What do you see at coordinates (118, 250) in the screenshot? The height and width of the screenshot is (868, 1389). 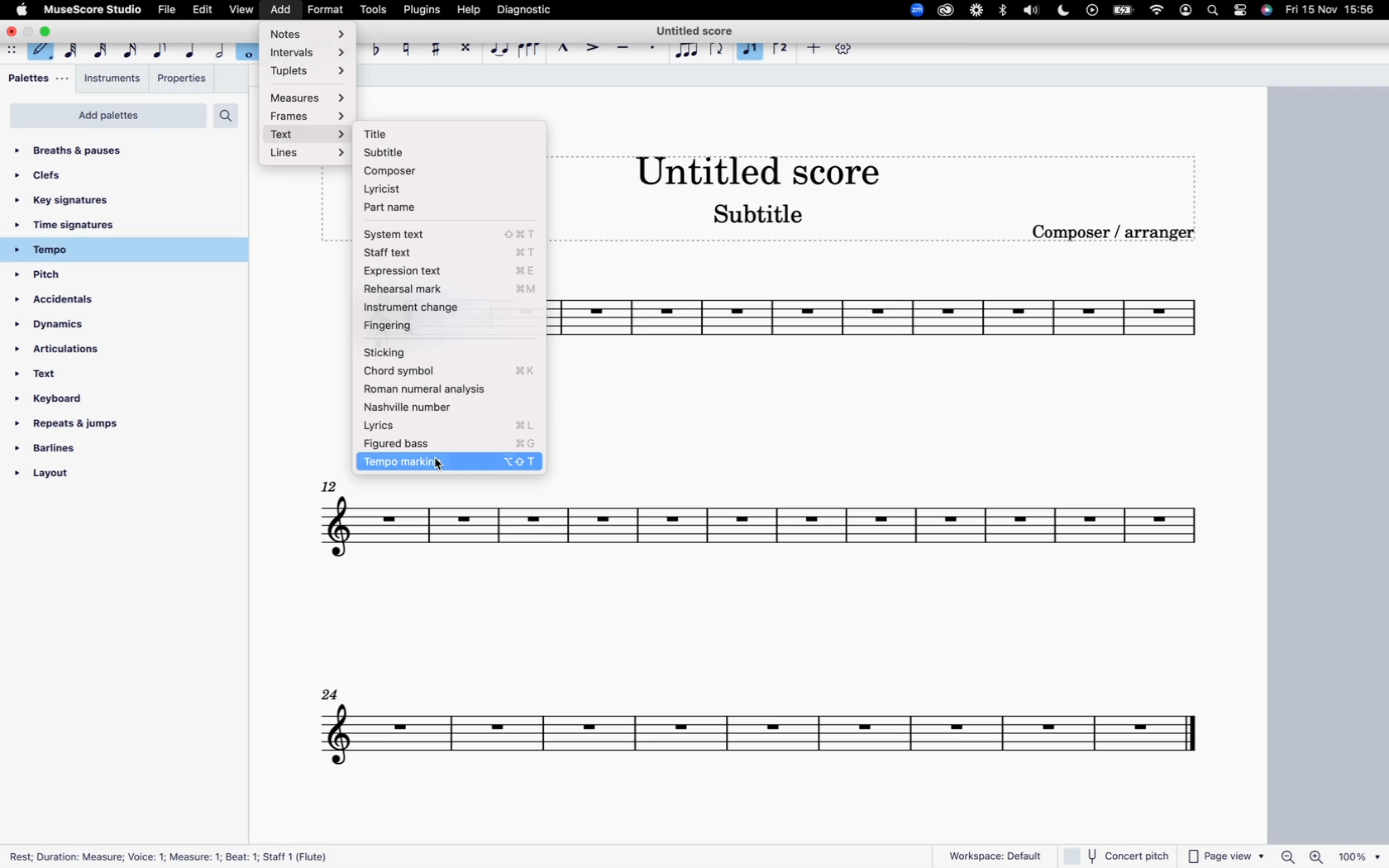 I see `tempo` at bounding box center [118, 250].